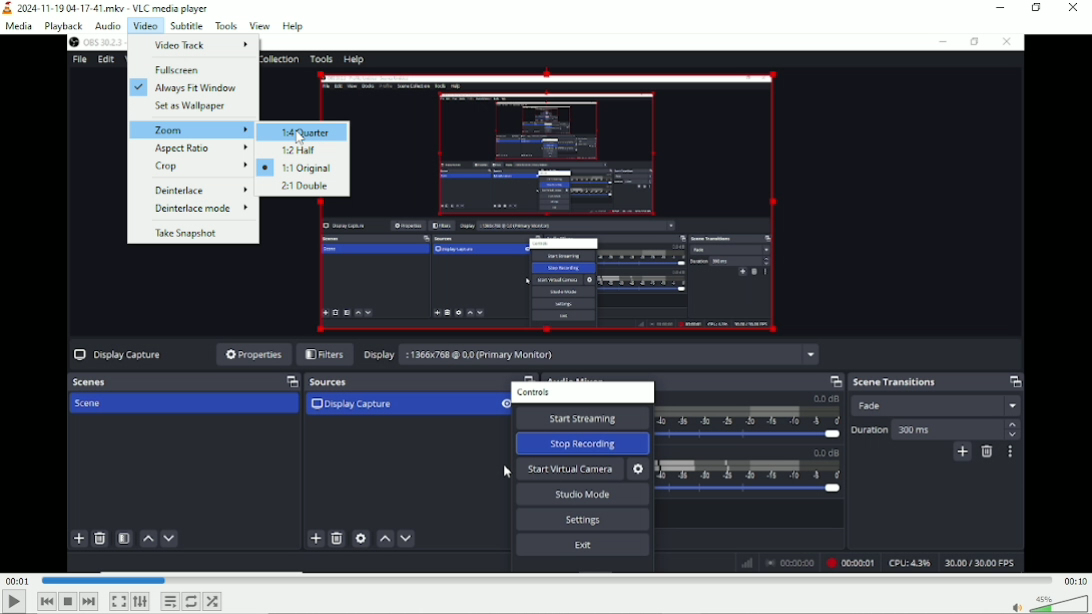 The image size is (1092, 614). I want to click on random, so click(214, 601).